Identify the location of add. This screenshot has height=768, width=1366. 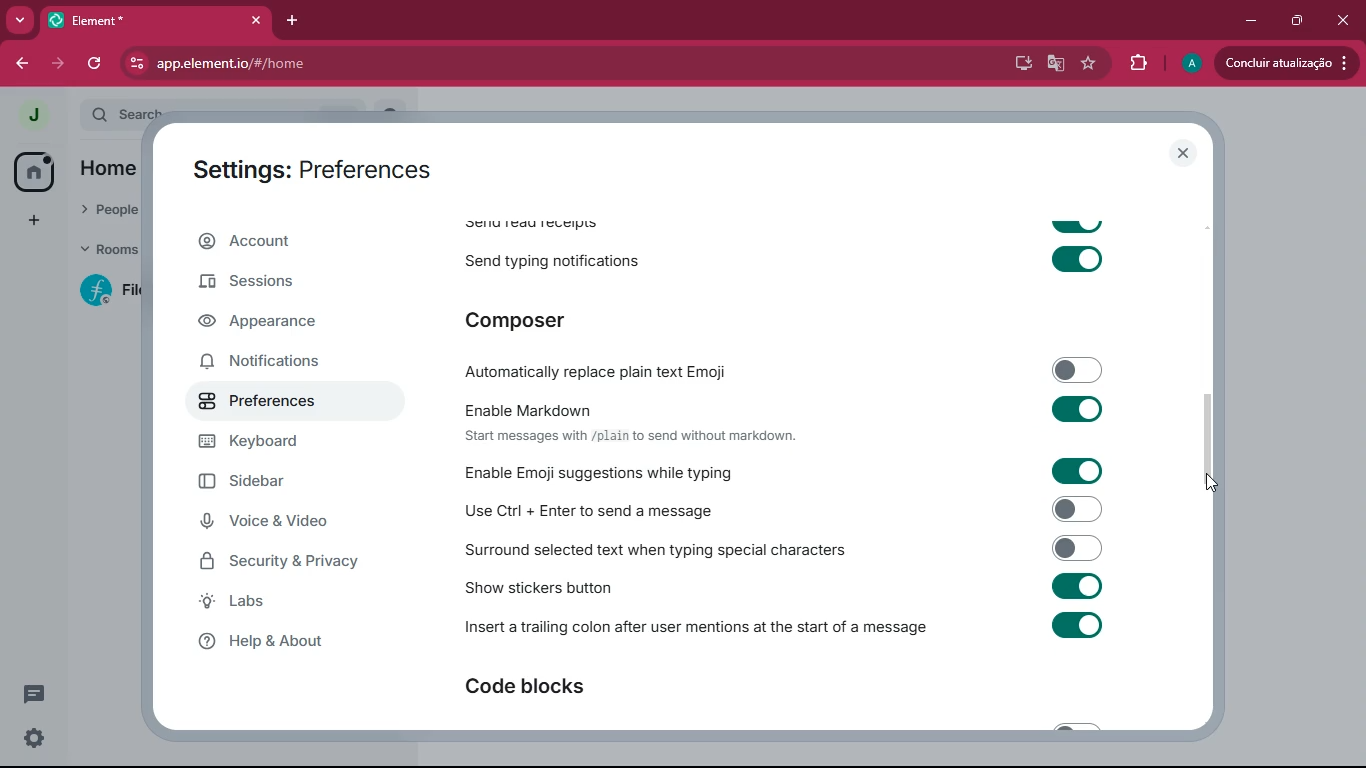
(33, 220).